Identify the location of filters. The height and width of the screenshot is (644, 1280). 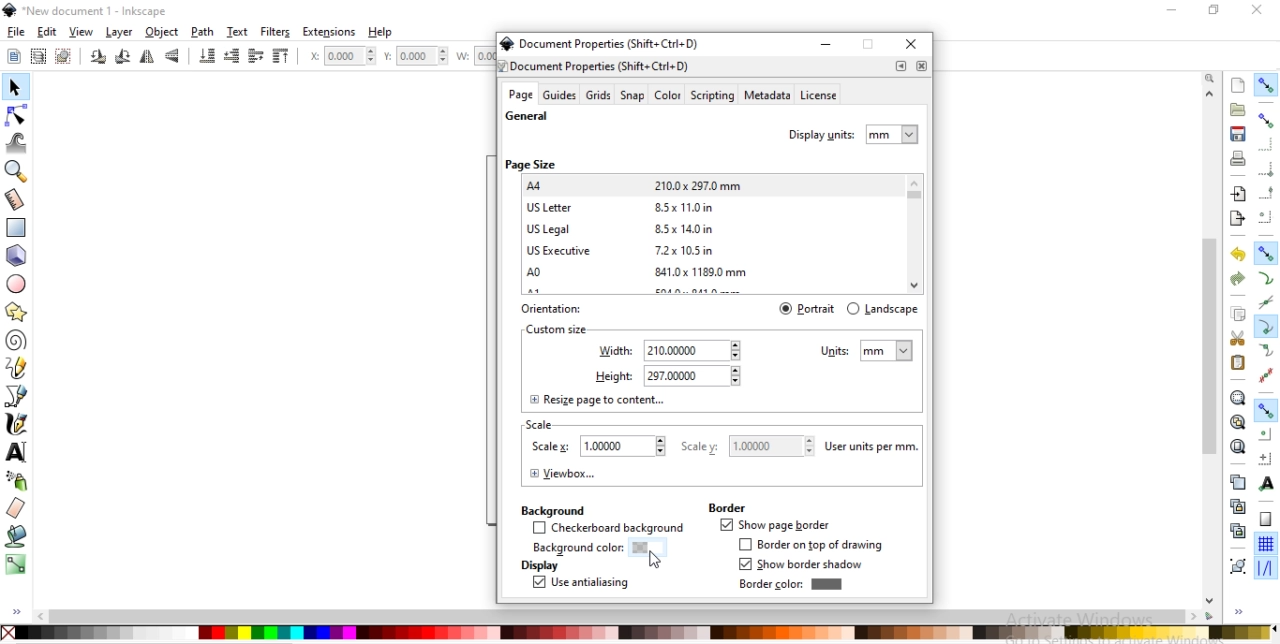
(276, 32).